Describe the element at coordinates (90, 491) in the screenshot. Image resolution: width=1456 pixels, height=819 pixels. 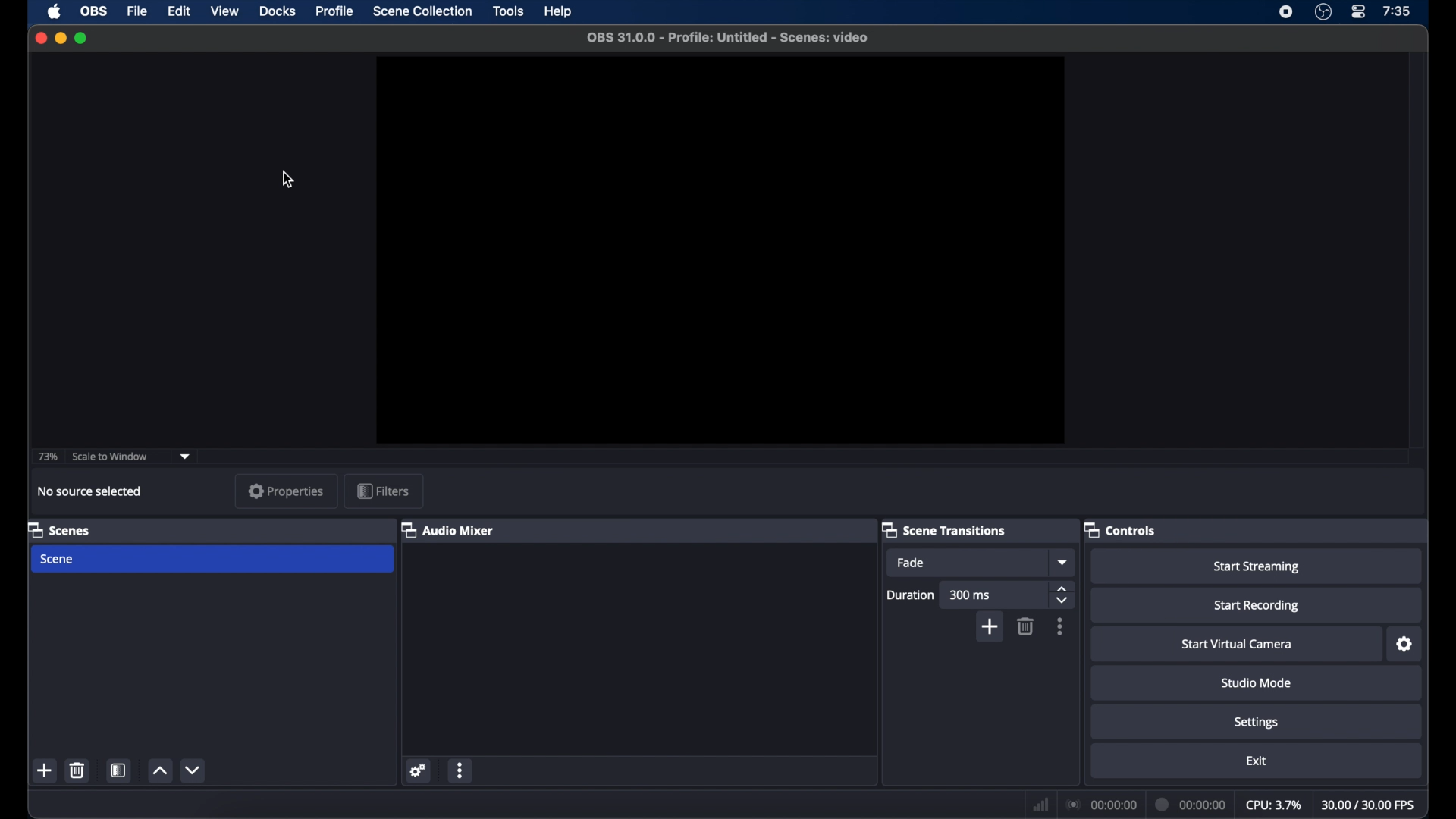
I see `no source selected` at that location.